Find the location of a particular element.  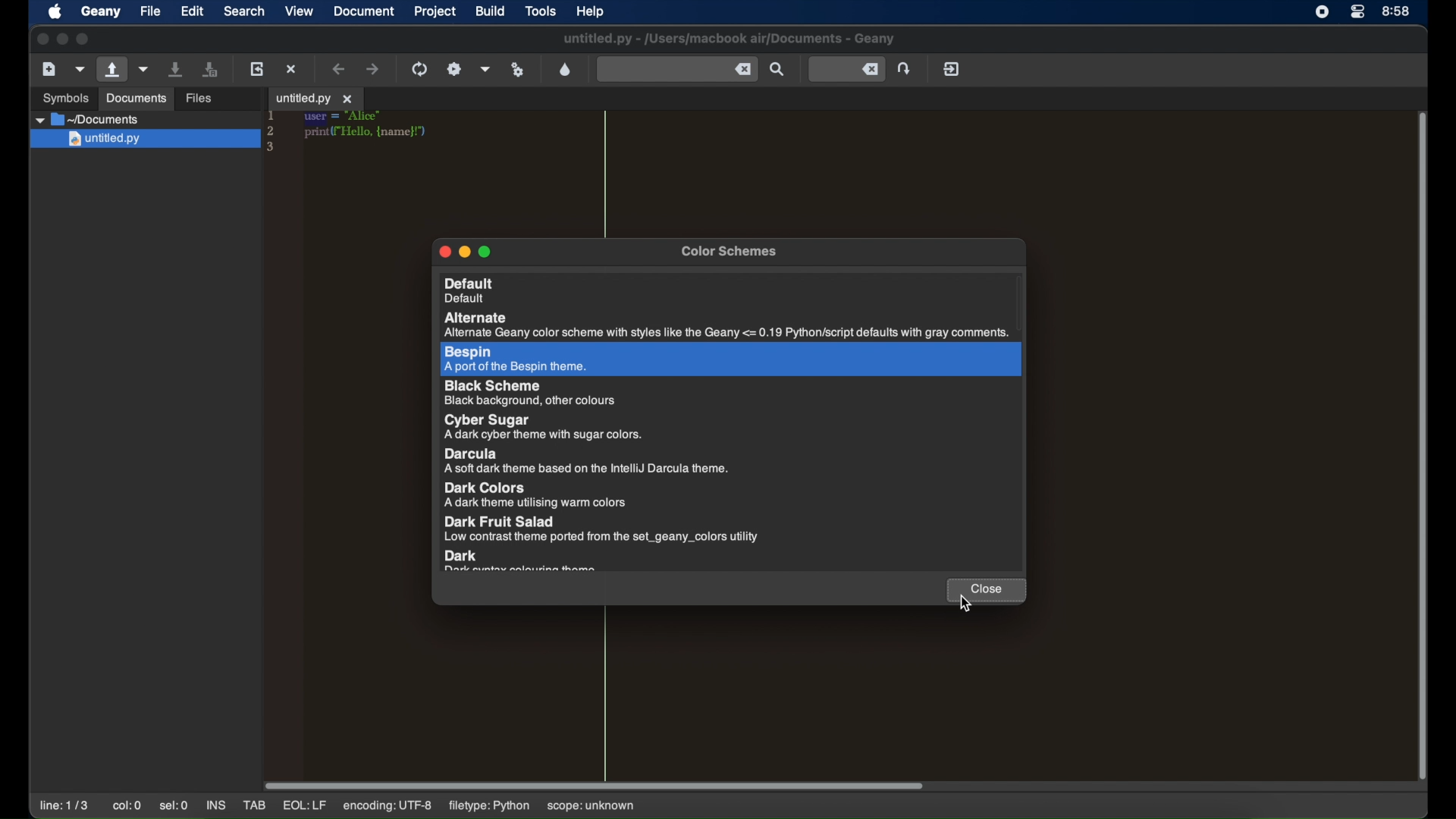

encoding: utf-8 is located at coordinates (387, 806).